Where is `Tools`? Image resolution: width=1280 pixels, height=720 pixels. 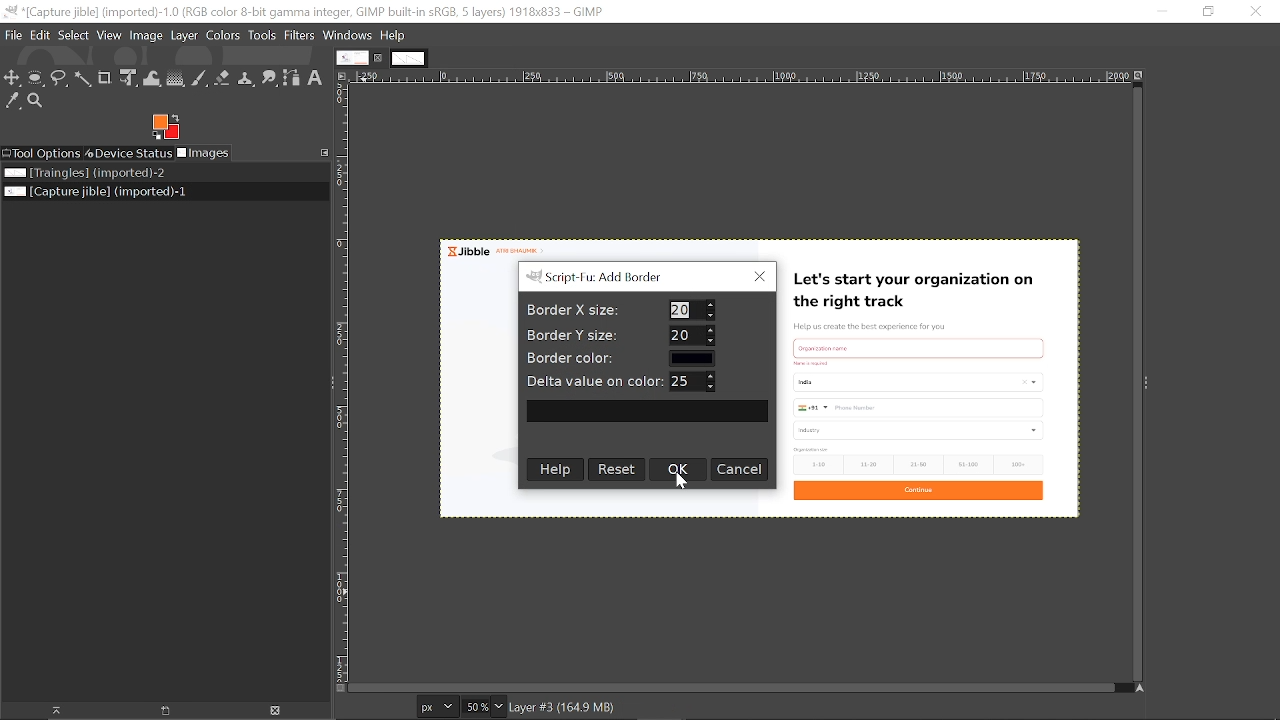 Tools is located at coordinates (262, 35).